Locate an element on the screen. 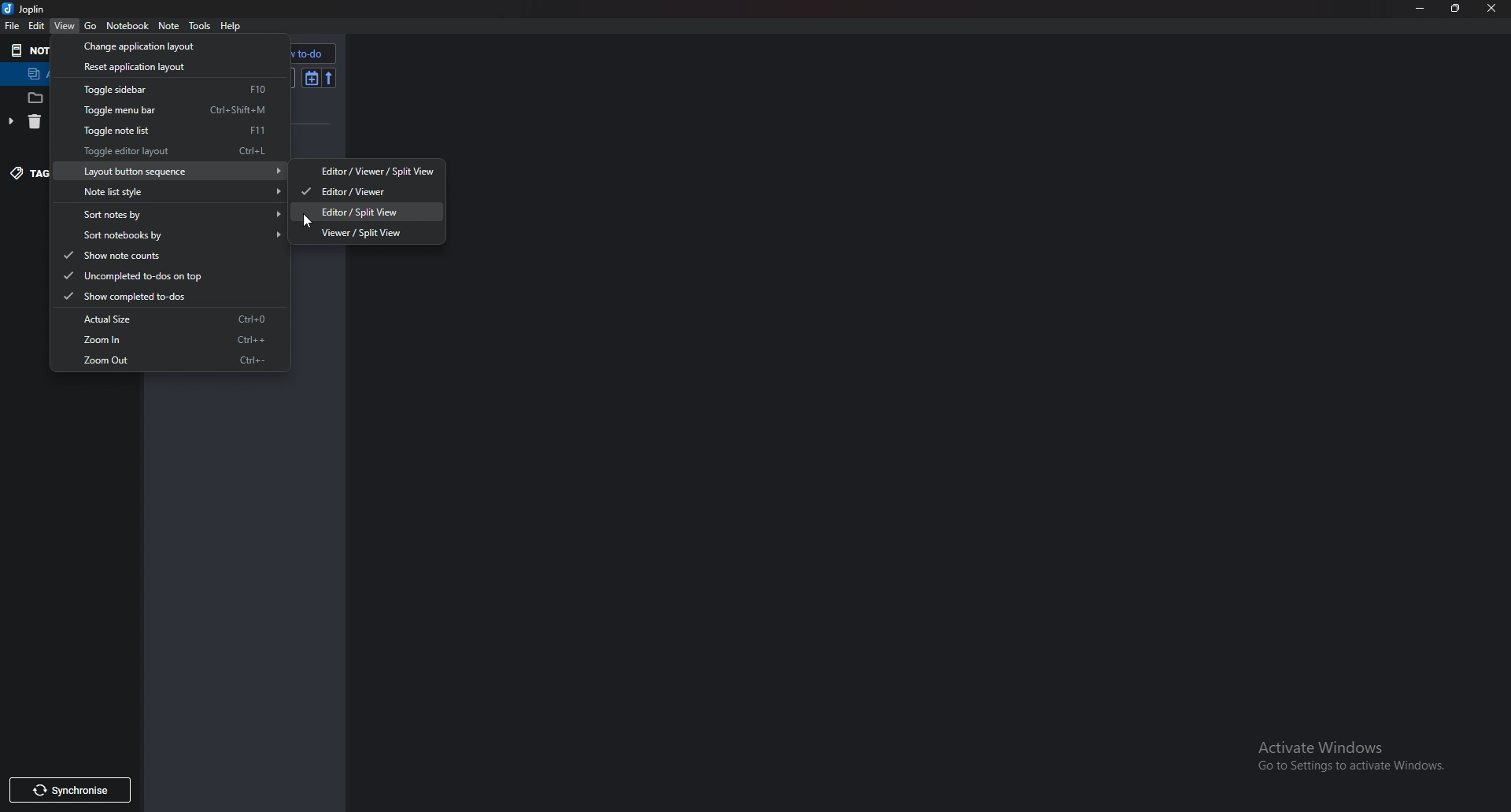  Editor/ Splitview is located at coordinates (370, 212).